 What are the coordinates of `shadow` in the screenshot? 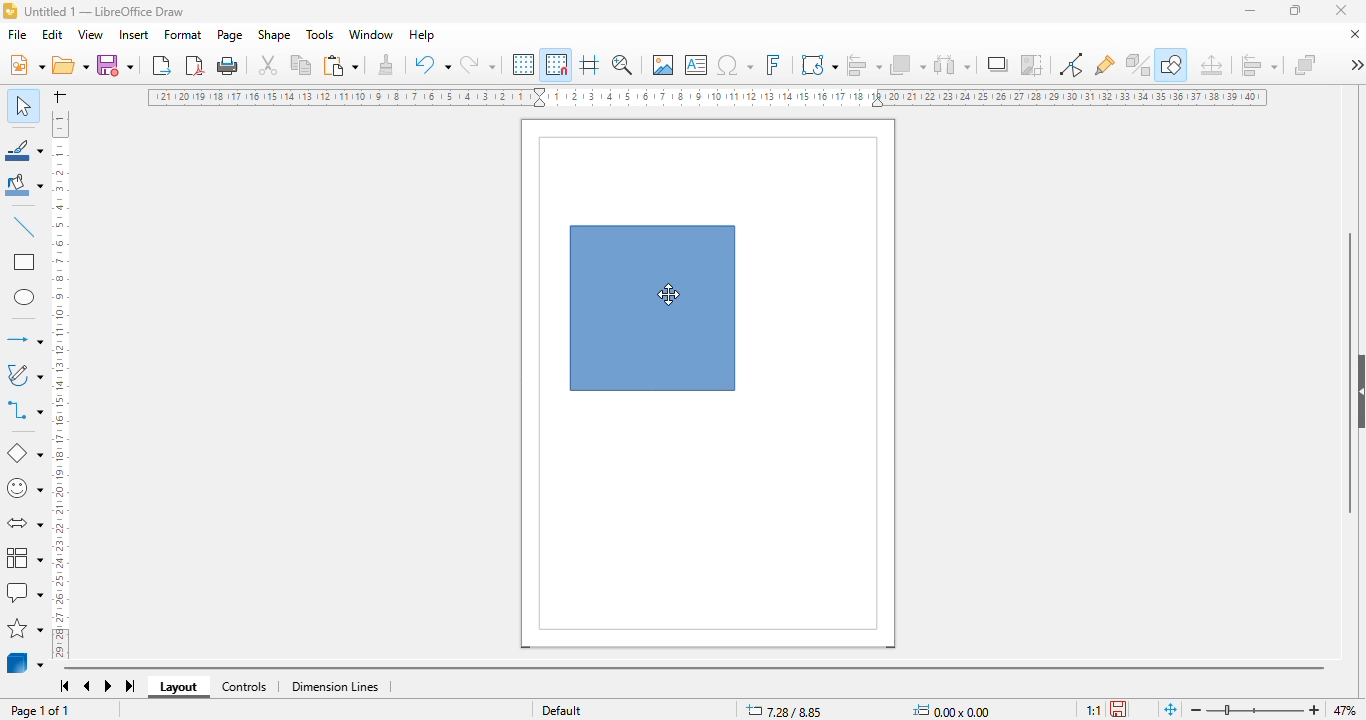 It's located at (999, 64).